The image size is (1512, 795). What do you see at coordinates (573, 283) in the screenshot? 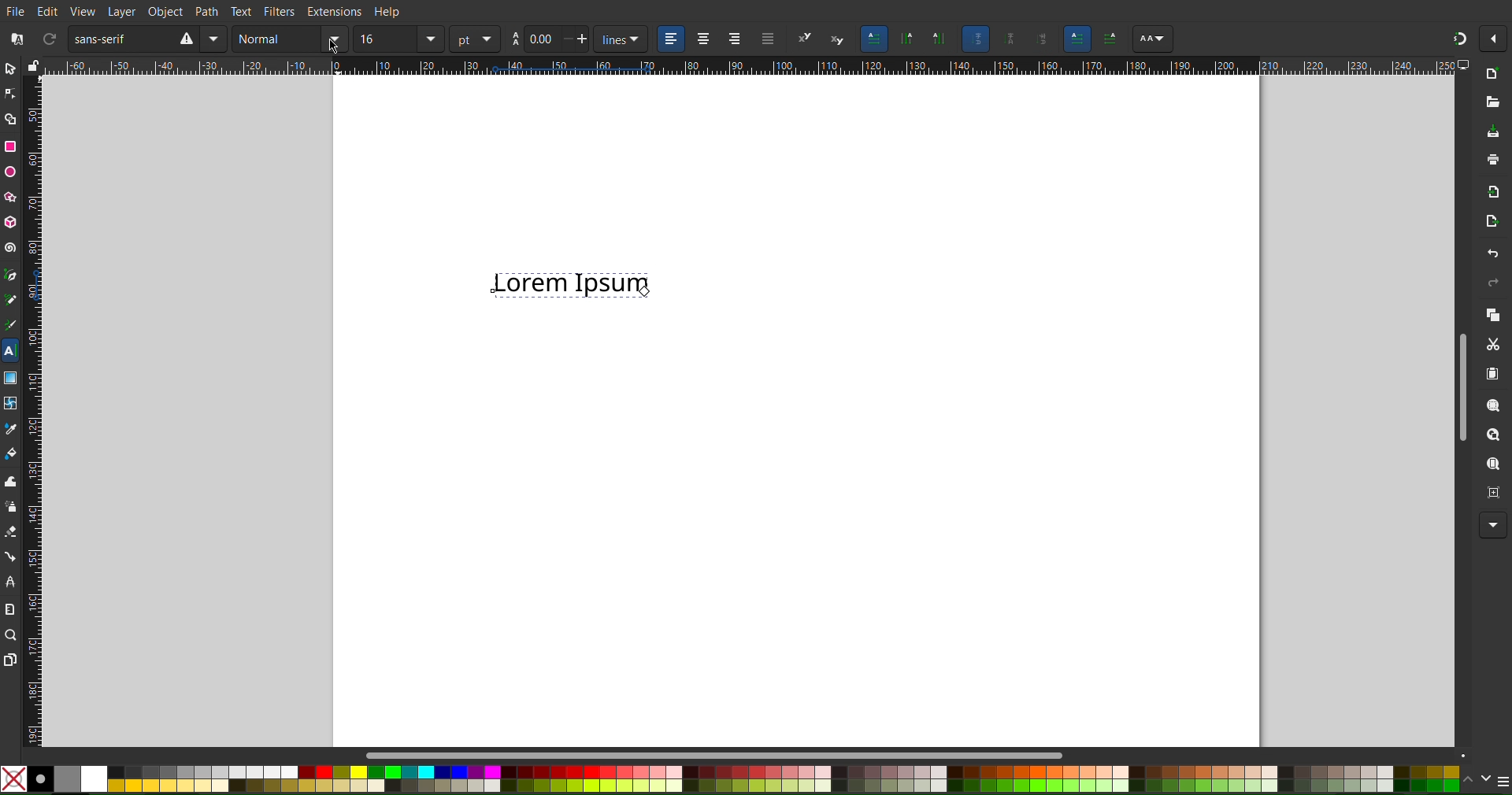
I see `Text` at bounding box center [573, 283].